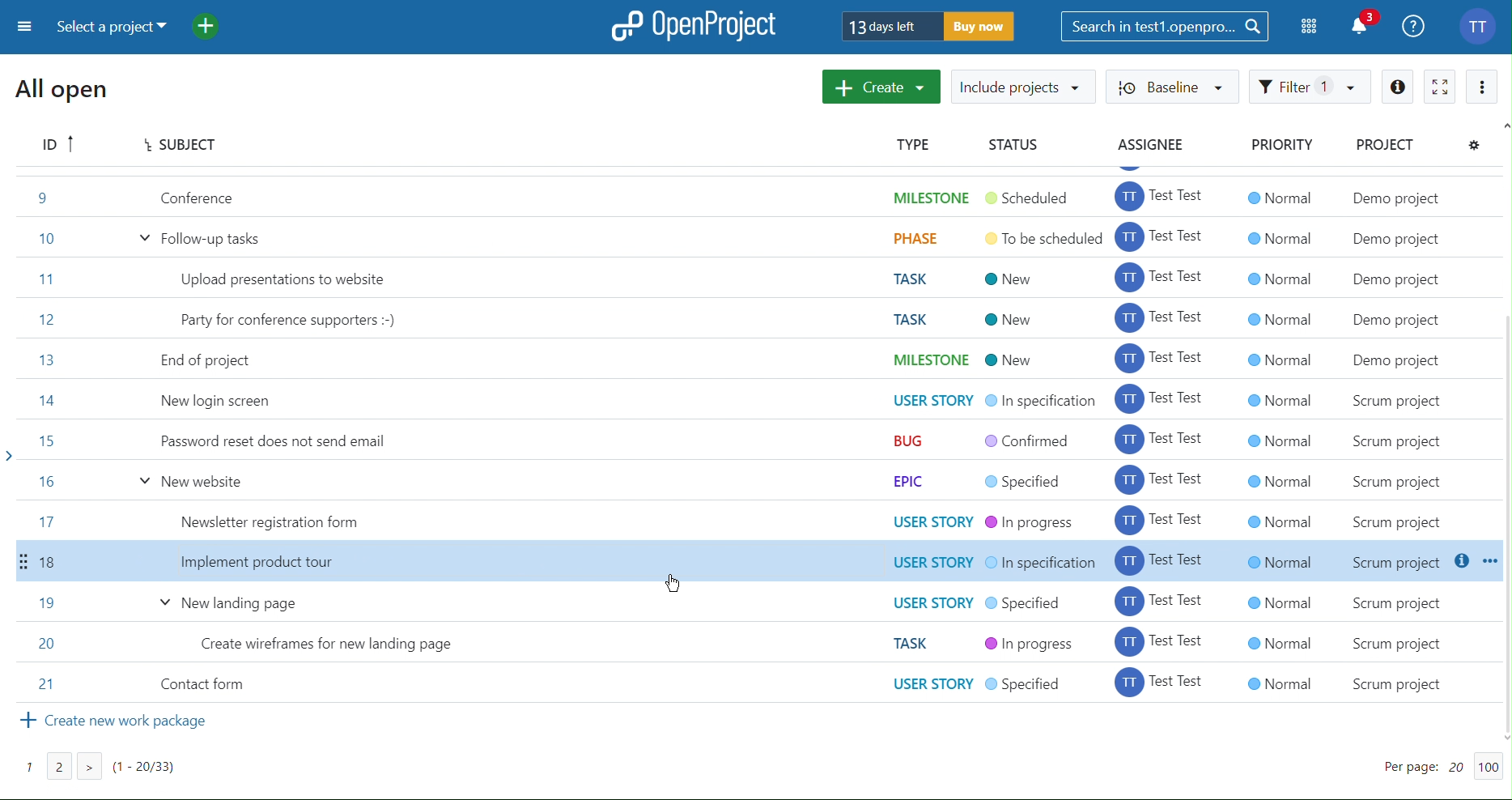 The width and height of the screenshot is (1512, 800). Describe the element at coordinates (1417, 436) in the screenshot. I see `Projects of Work Packages` at that location.